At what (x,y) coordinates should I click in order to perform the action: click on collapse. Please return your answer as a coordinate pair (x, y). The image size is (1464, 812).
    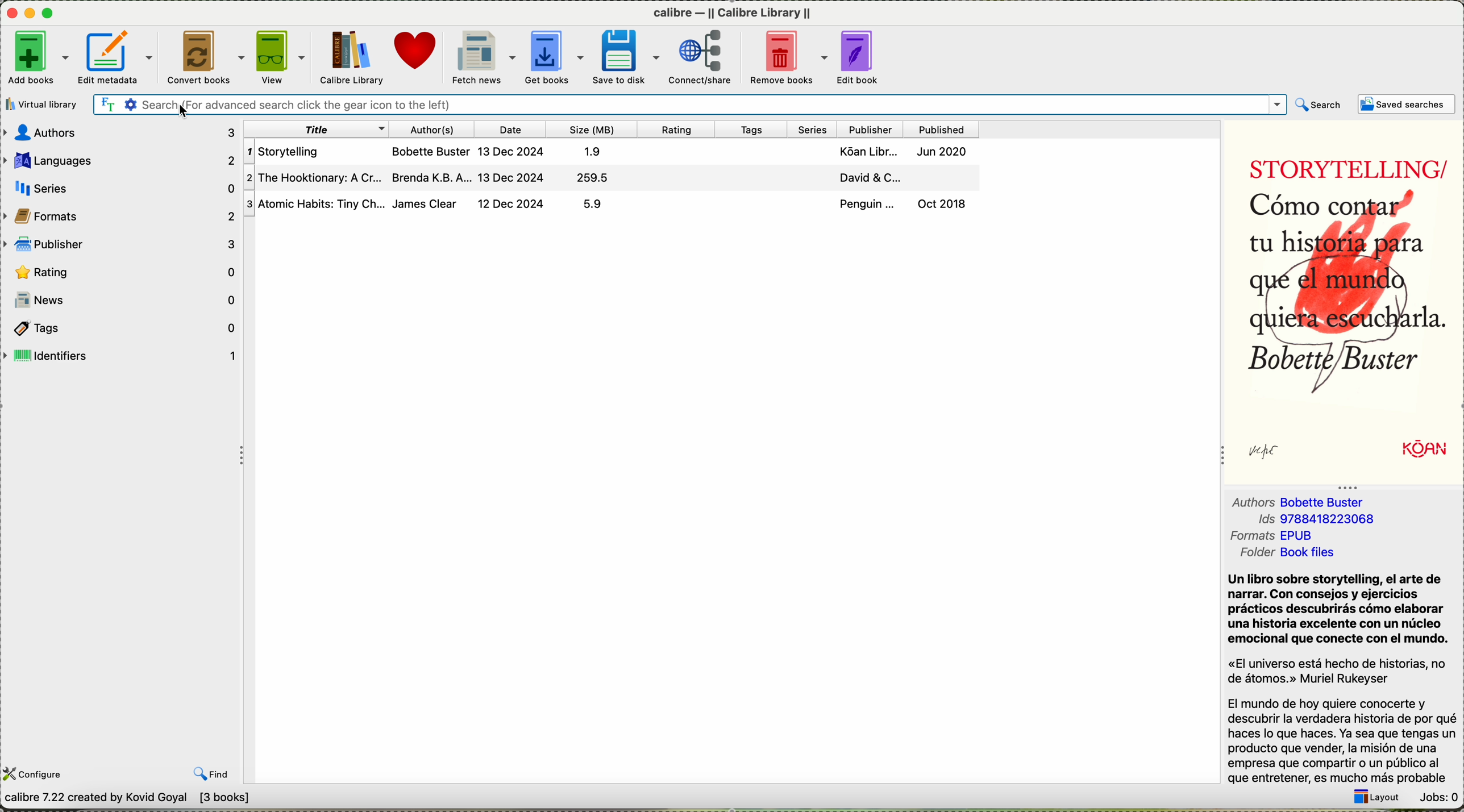
    Looking at the image, I should click on (1220, 459).